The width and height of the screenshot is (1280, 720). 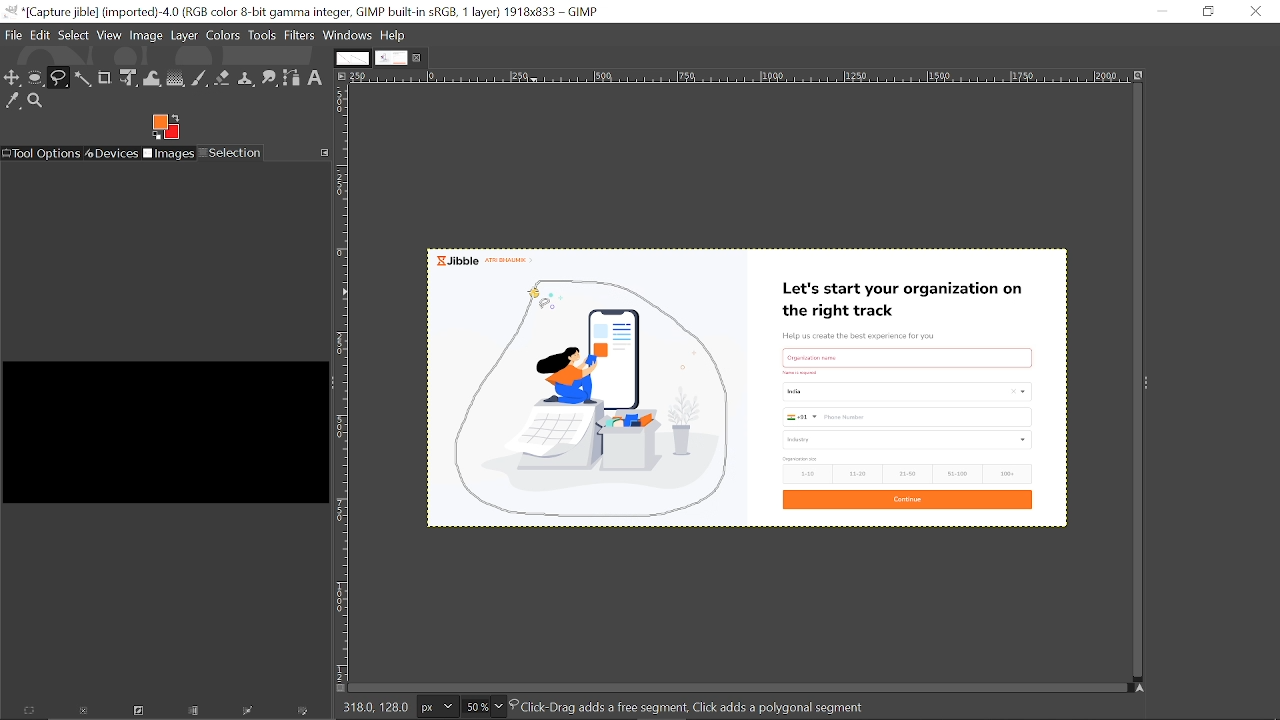 What do you see at coordinates (59, 78) in the screenshot?
I see `Free select tool` at bounding box center [59, 78].